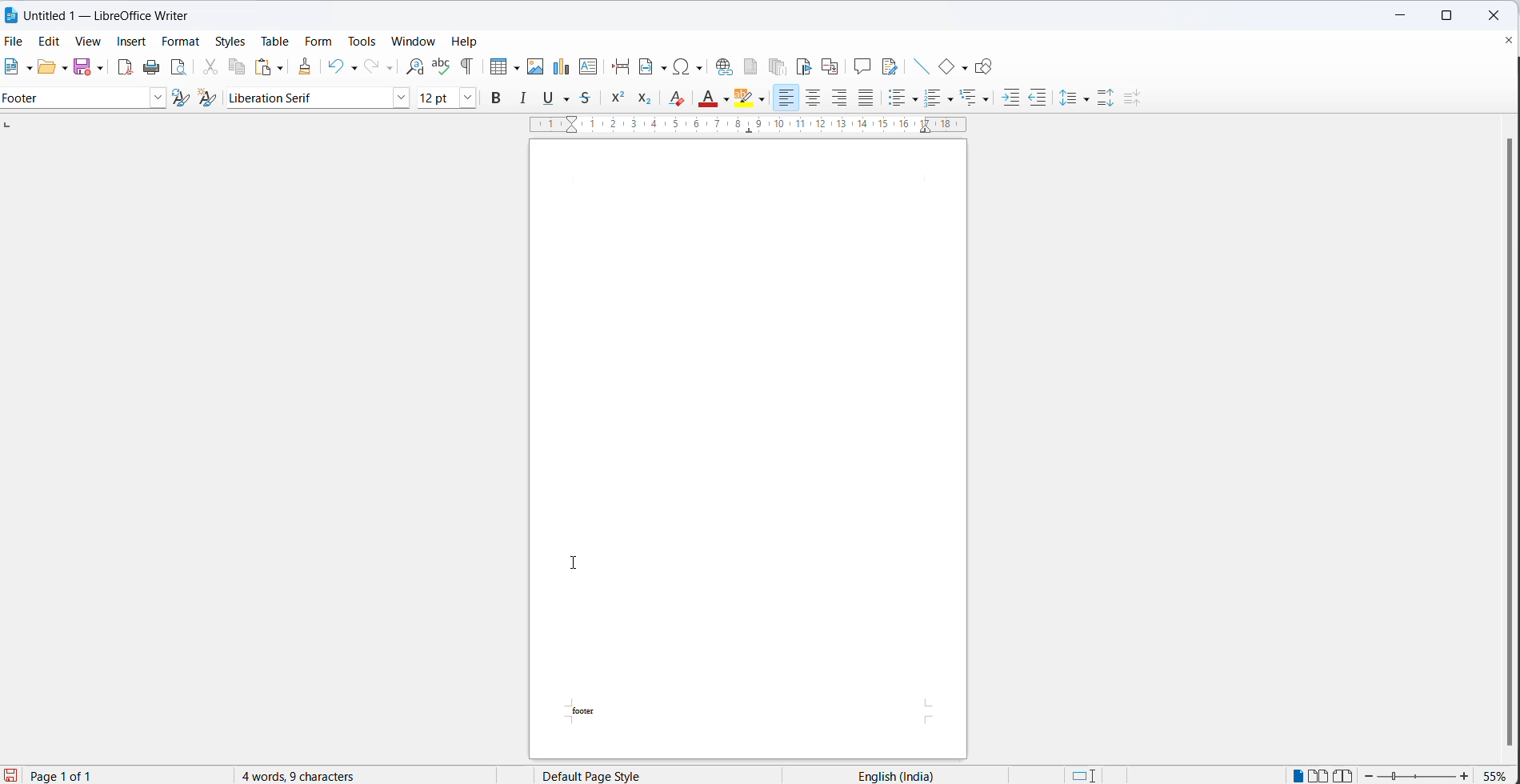 The image size is (1520, 784). Describe the element at coordinates (311, 775) in the screenshot. I see `3 words, 3 characters ` at that location.